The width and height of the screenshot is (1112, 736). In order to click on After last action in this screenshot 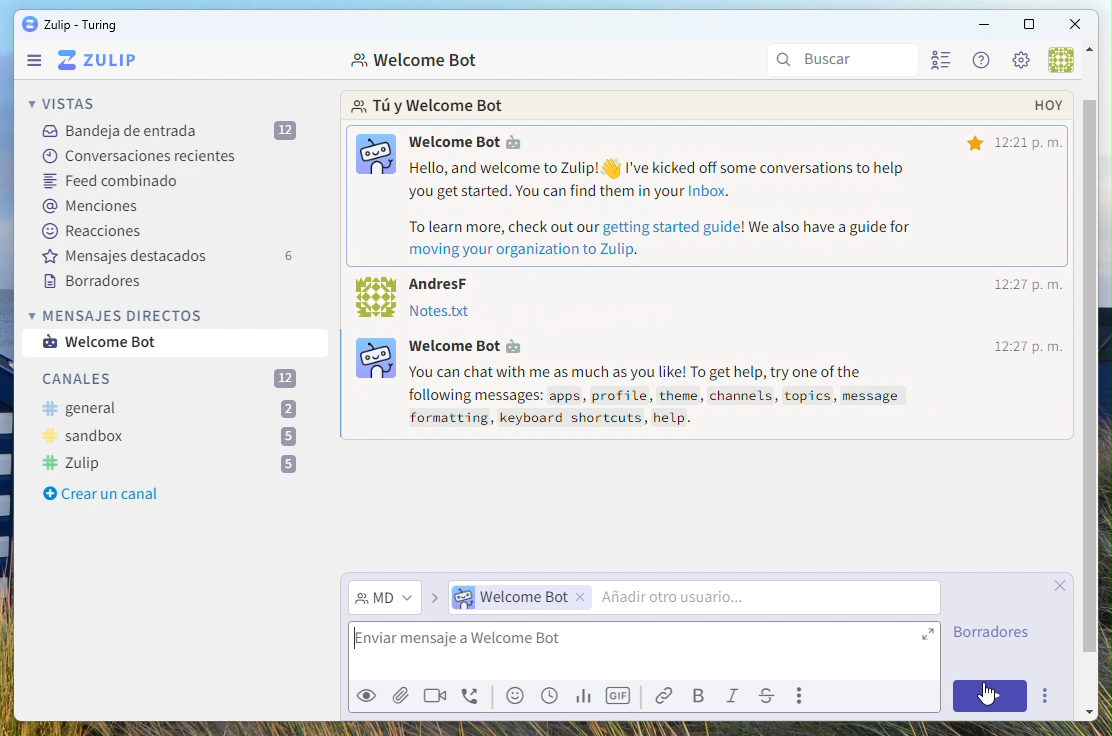, I will do `click(420, 295)`.